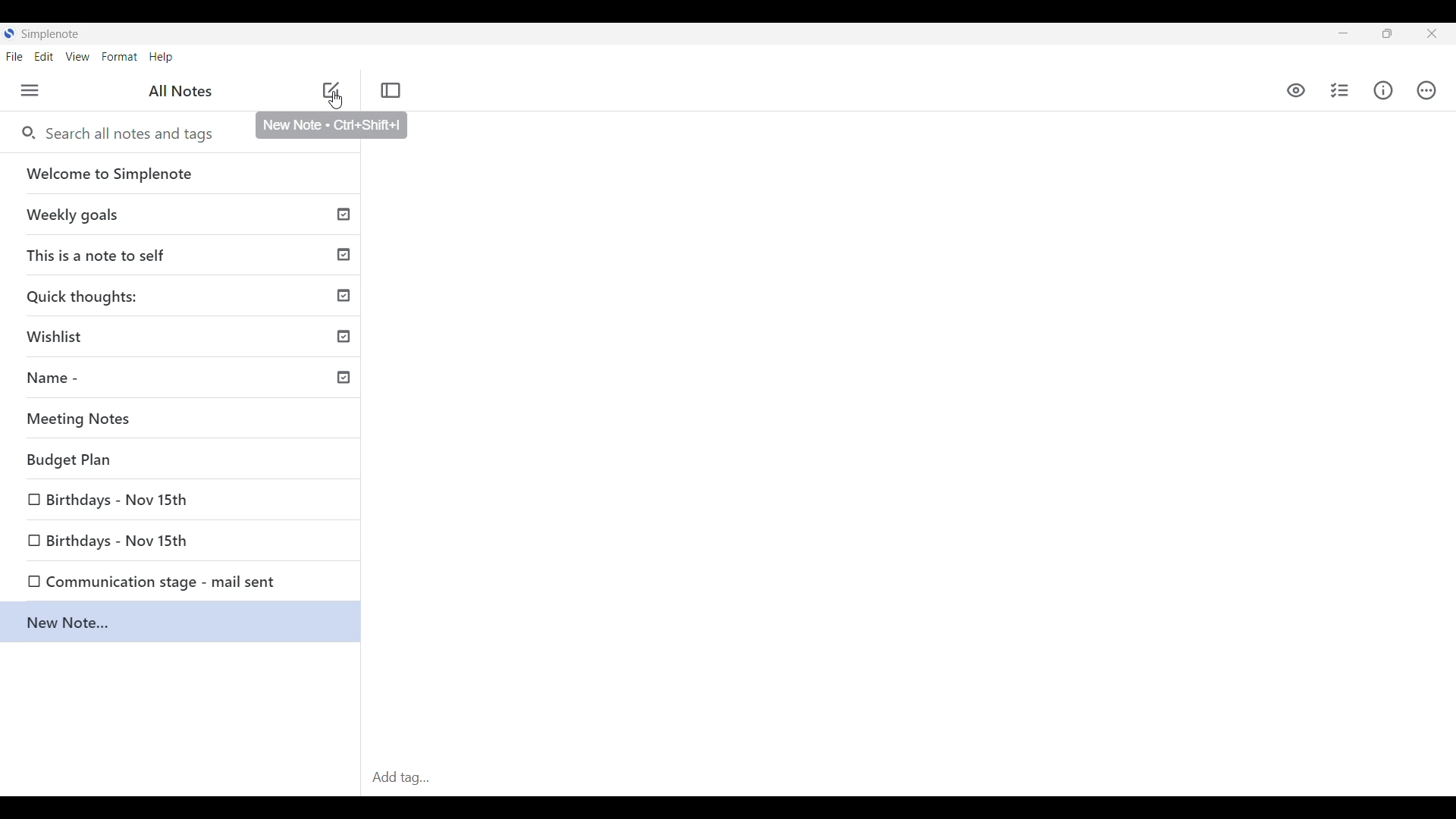  I want to click on Cursor, so click(335, 102).